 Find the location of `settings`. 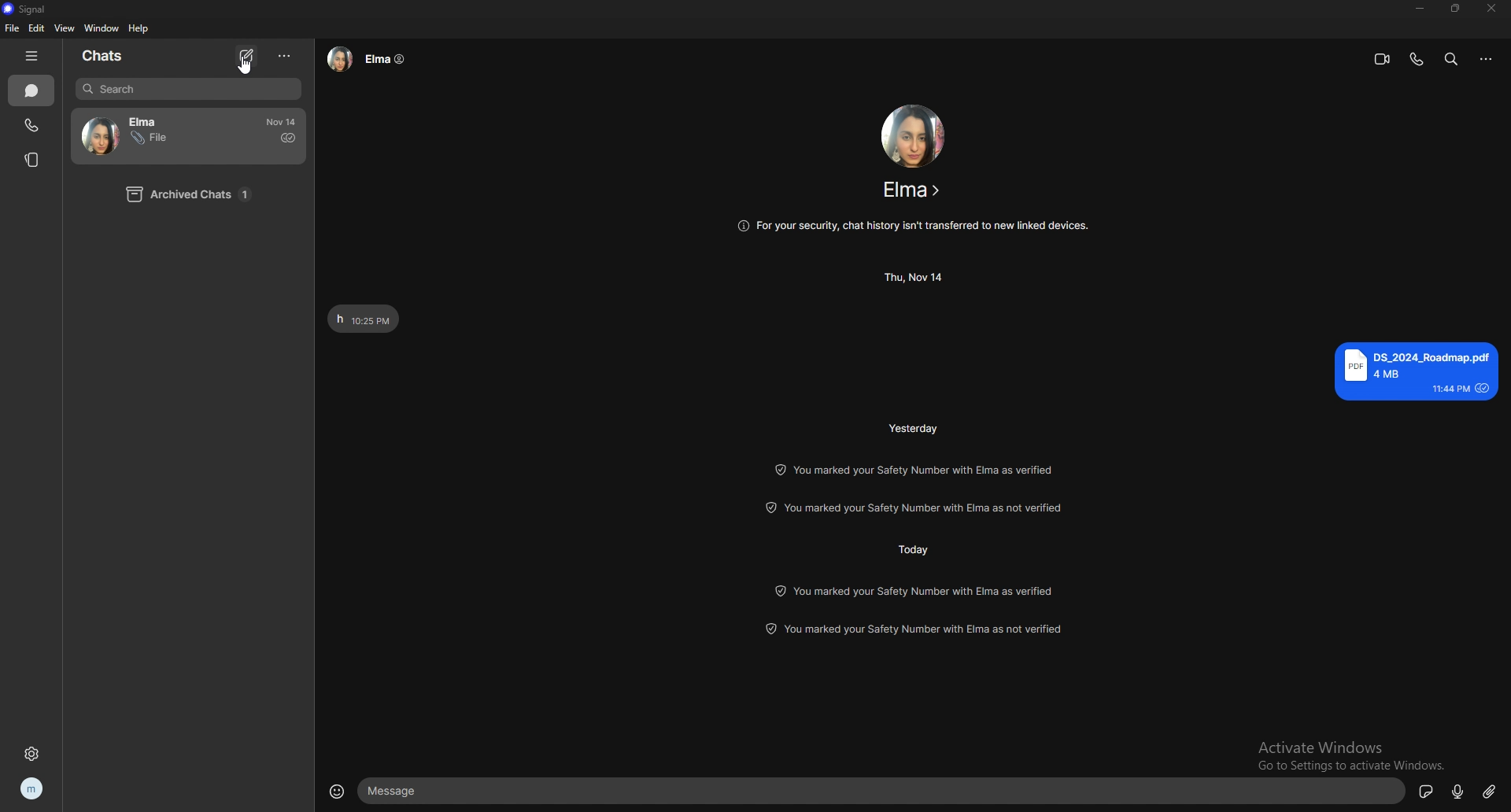

settings is located at coordinates (31, 753).